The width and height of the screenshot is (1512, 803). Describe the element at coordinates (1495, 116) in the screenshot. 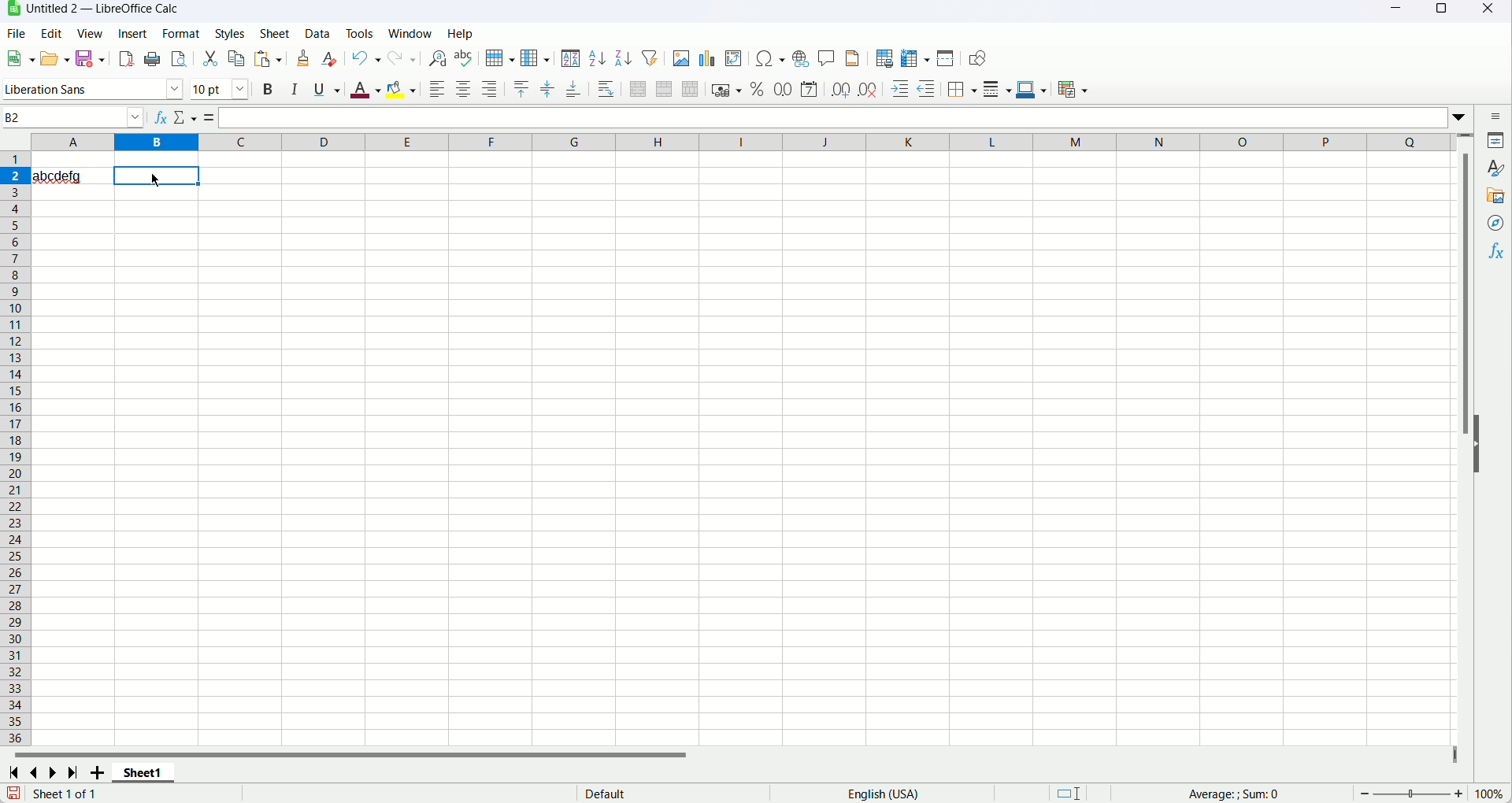

I see `sidebar settings` at that location.